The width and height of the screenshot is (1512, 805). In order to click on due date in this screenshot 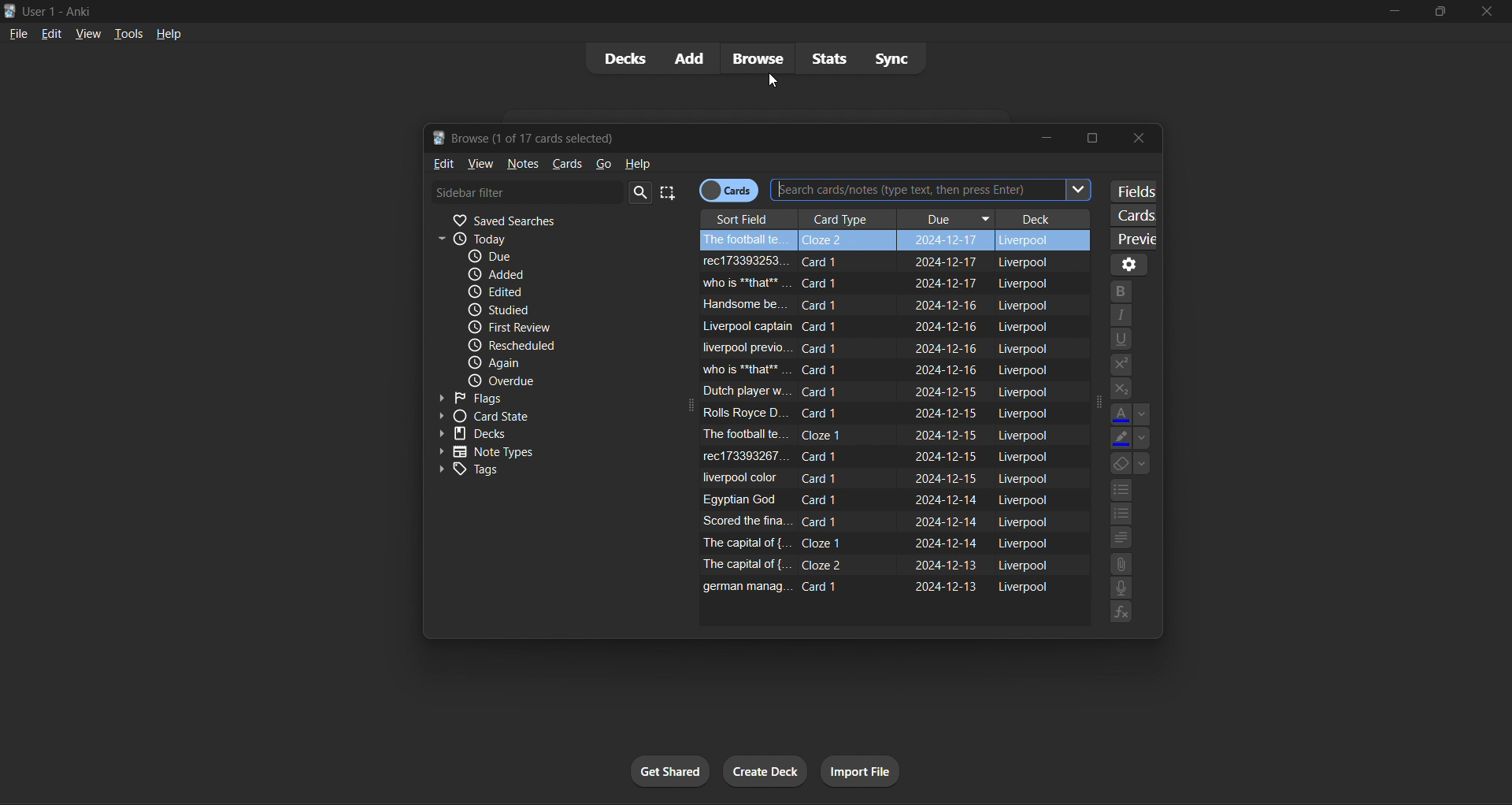, I will do `click(953, 327)`.